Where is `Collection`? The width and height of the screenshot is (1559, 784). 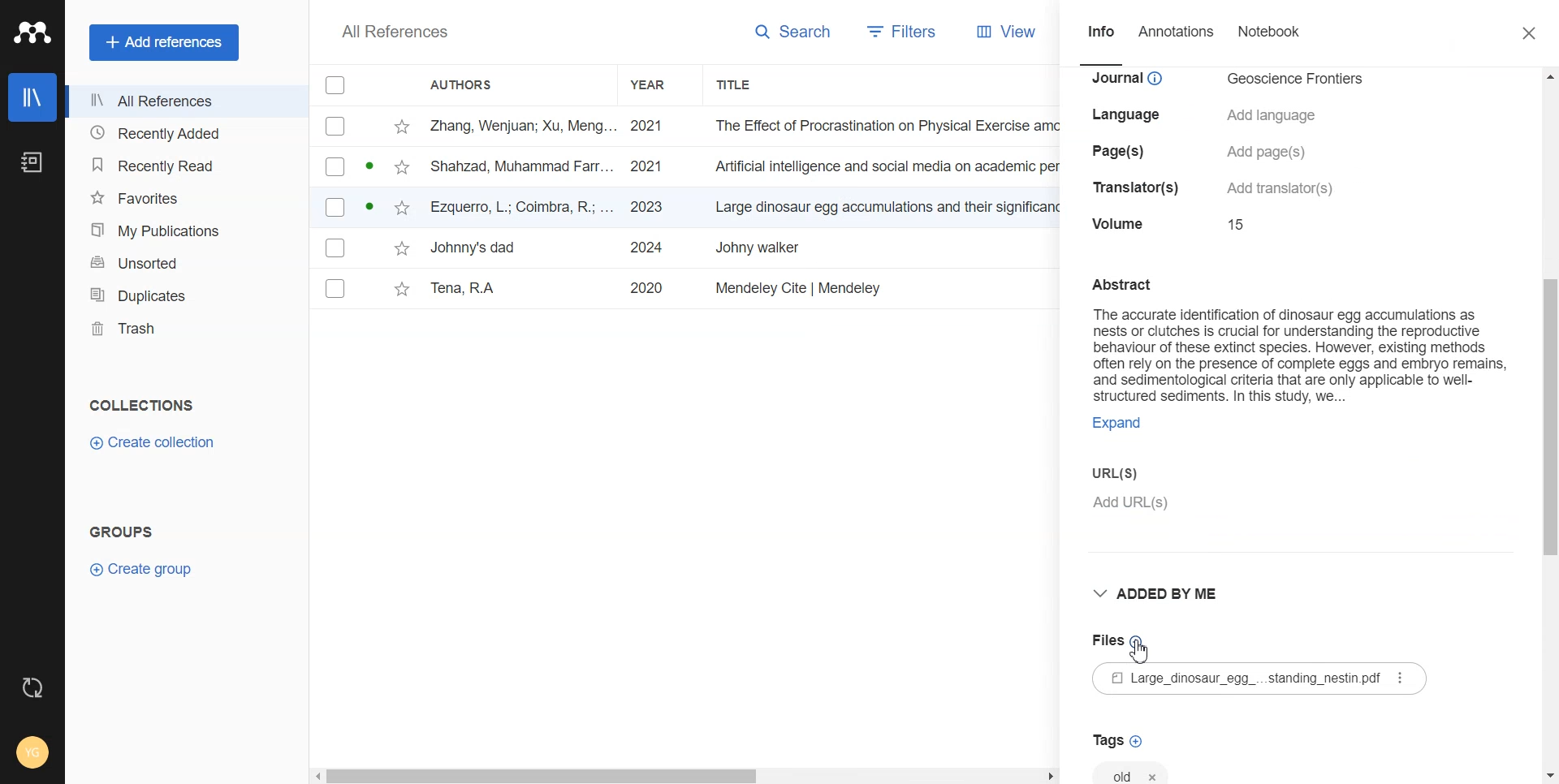 Collection is located at coordinates (141, 404).